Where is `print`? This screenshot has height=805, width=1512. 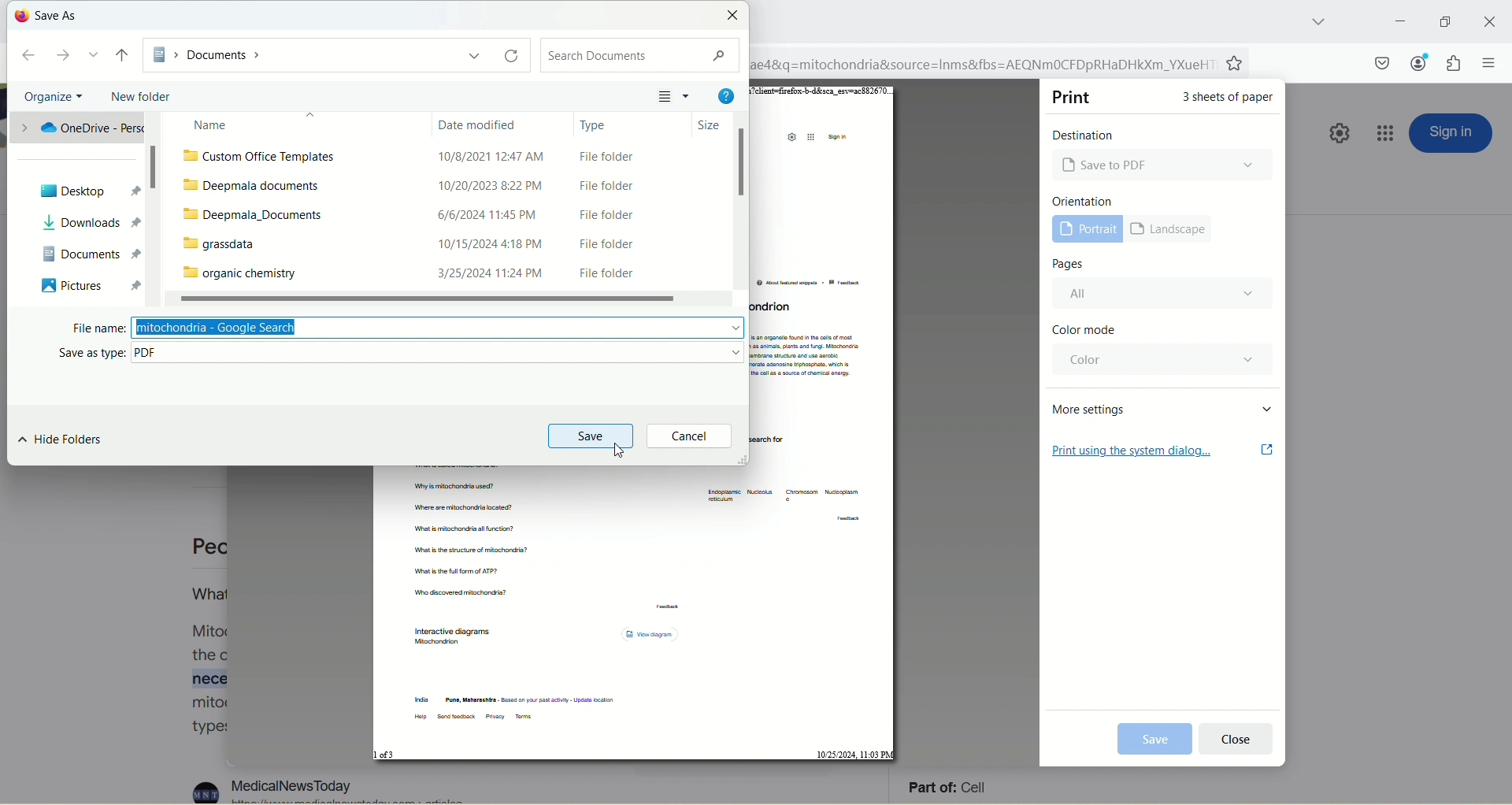 print is located at coordinates (1074, 97).